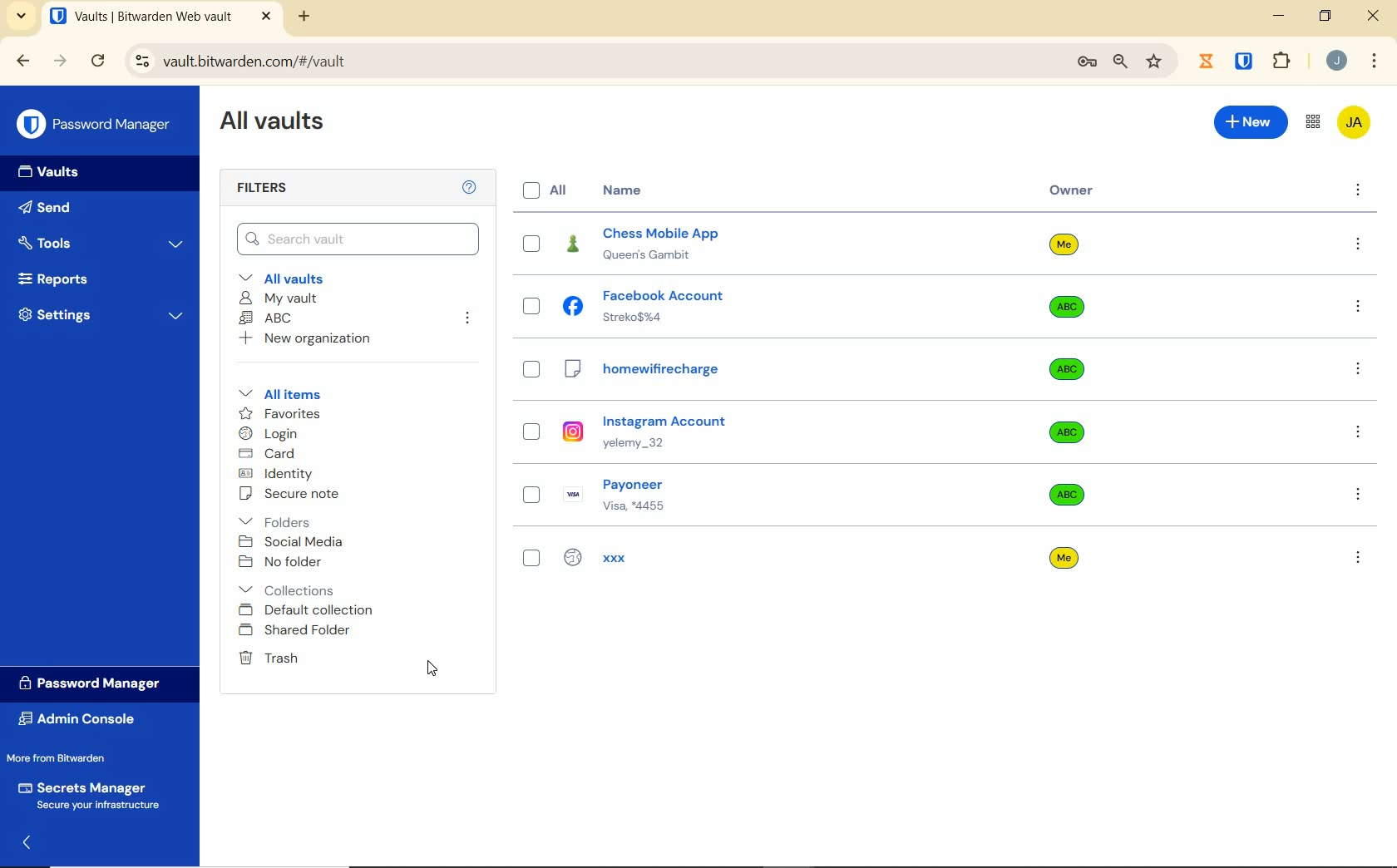 The image size is (1397, 868). I want to click on chess mobile app, so click(765, 245).